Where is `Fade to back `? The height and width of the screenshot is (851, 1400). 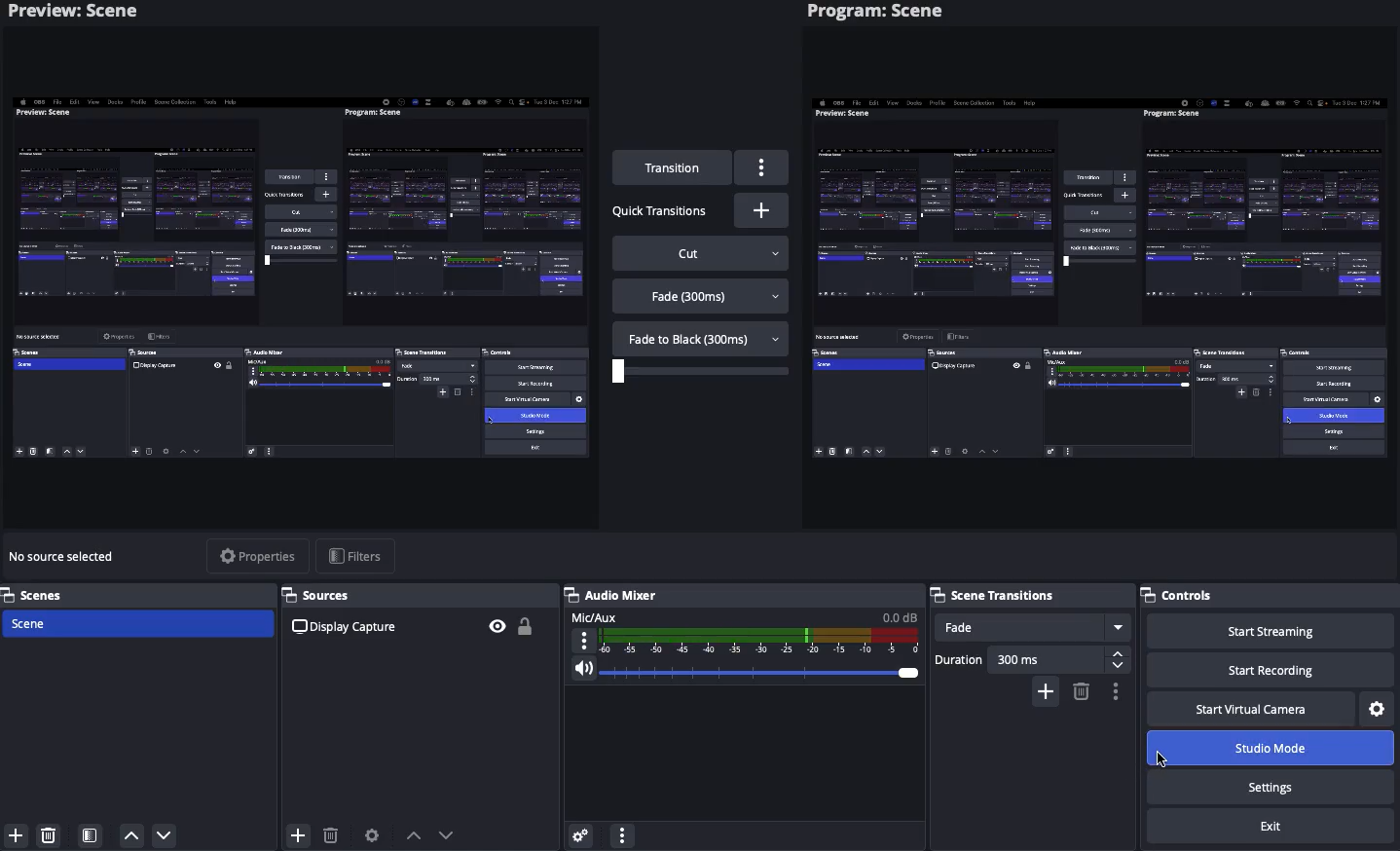
Fade to back  is located at coordinates (702, 337).